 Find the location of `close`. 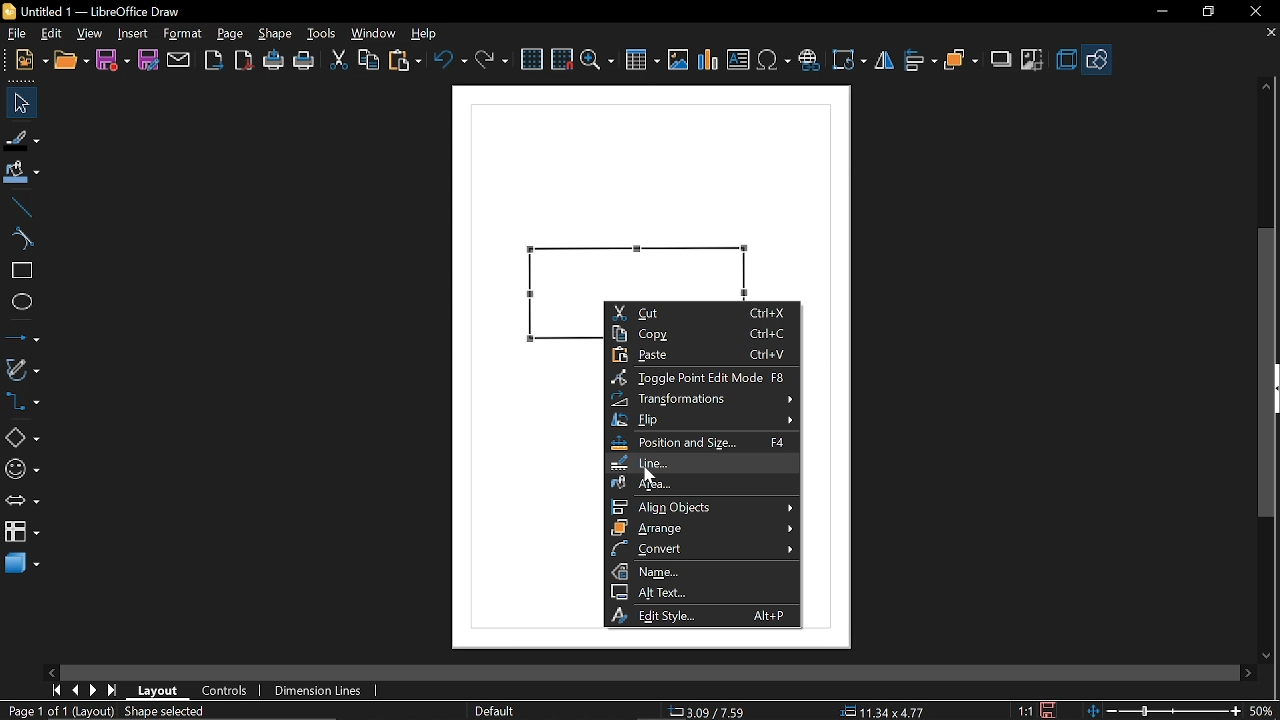

close is located at coordinates (1252, 12).